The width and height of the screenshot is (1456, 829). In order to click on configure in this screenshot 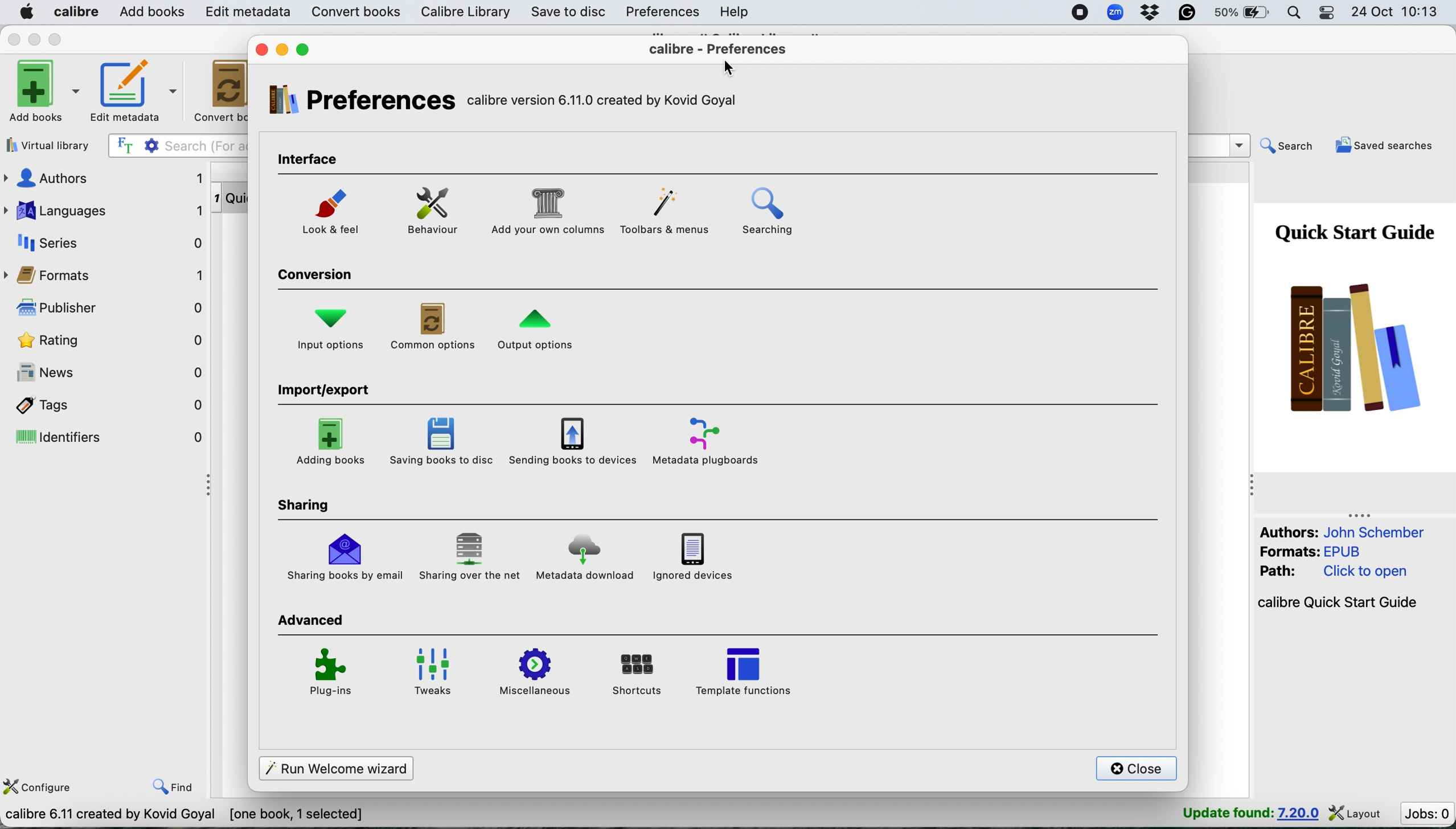, I will do `click(42, 787)`.